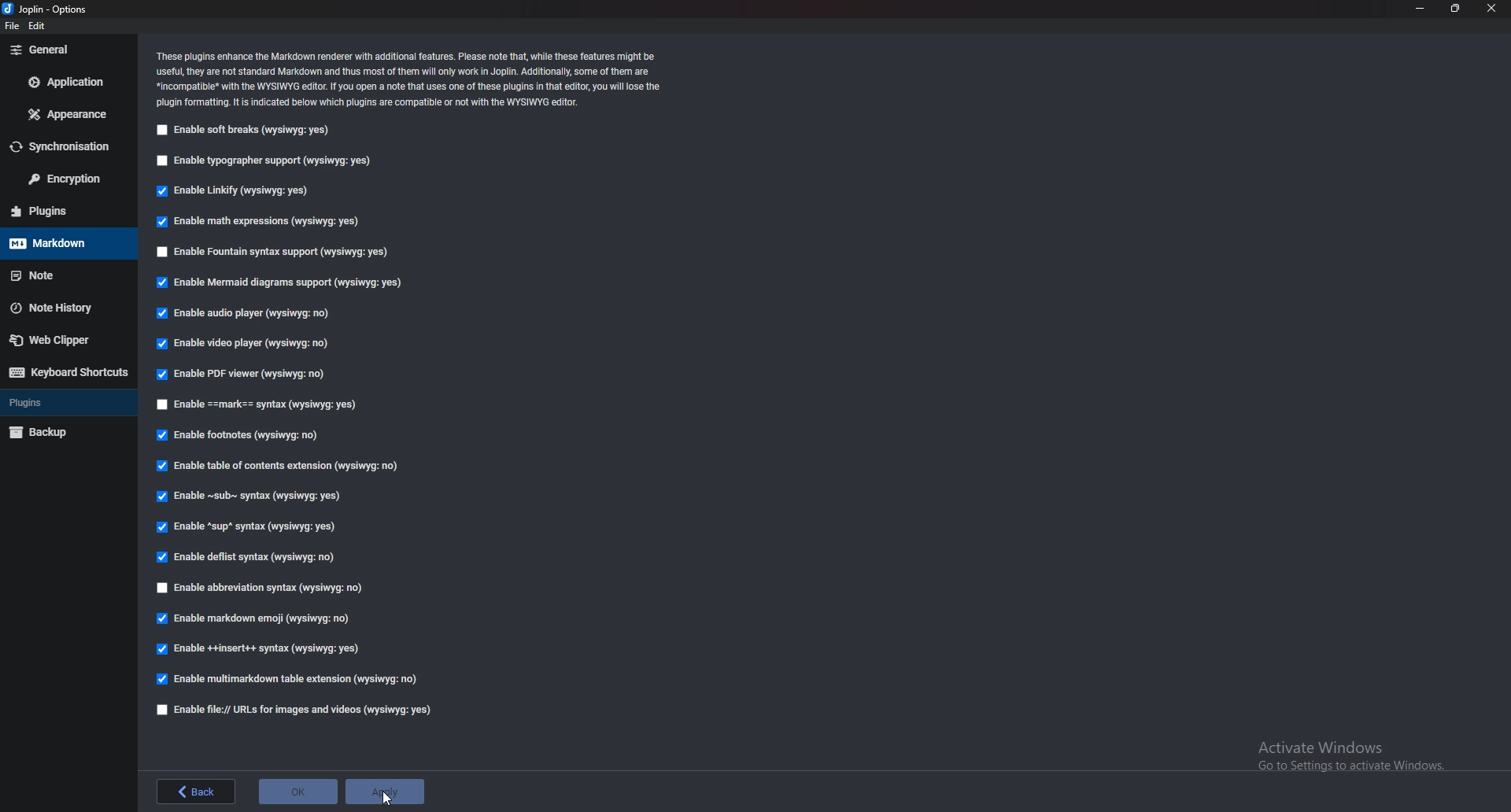 This screenshot has height=812, width=1511. Describe the element at coordinates (65, 148) in the screenshot. I see `Synchronization` at that location.